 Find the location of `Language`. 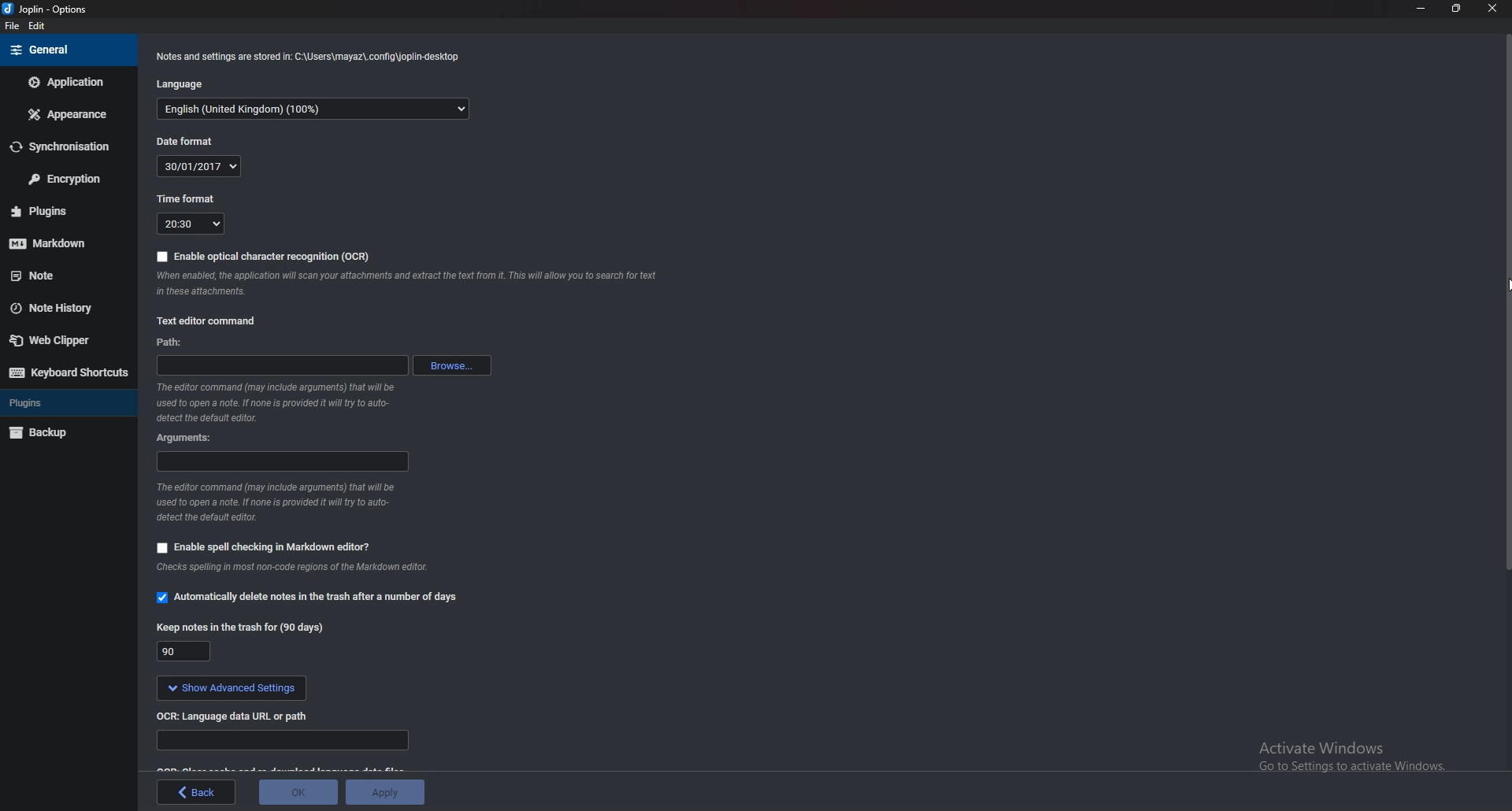

Language is located at coordinates (187, 86).